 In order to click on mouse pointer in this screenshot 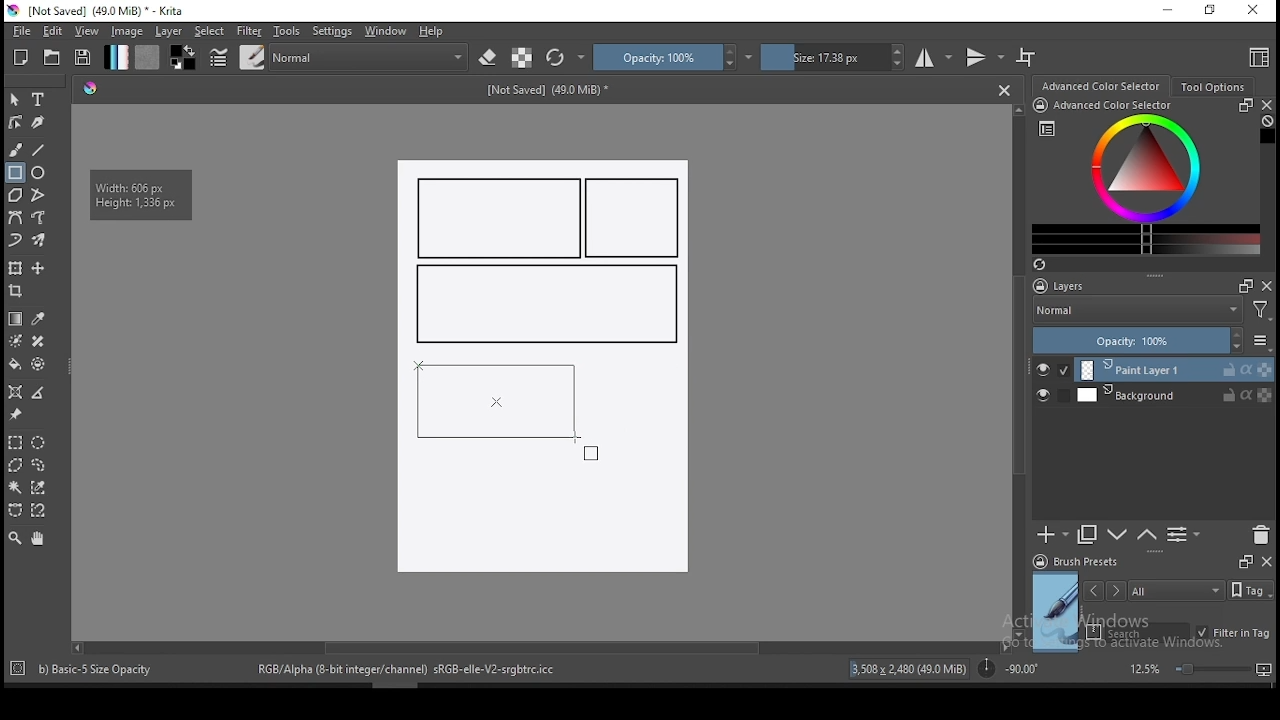, I will do `click(587, 449)`.